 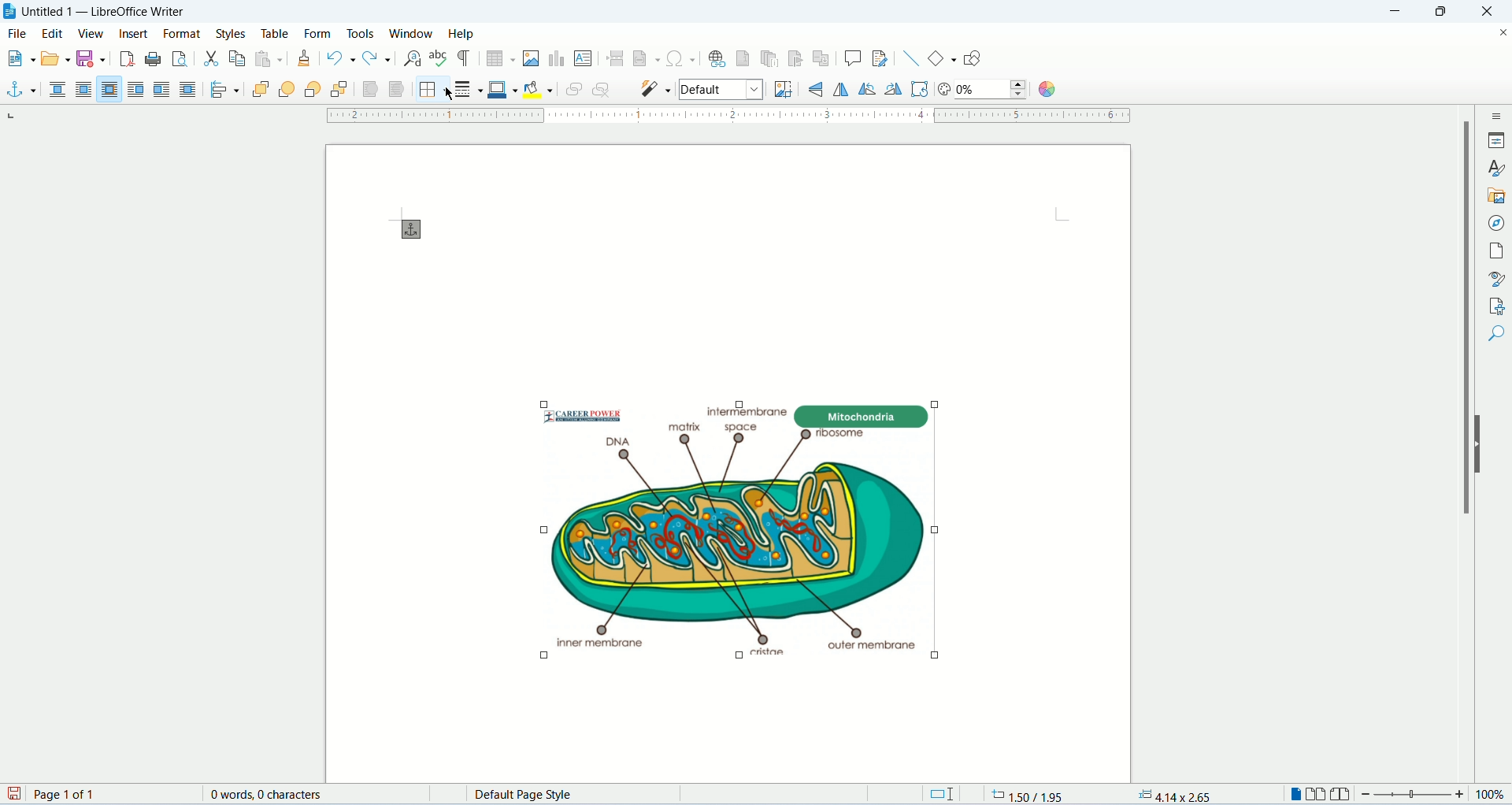 I want to click on view, so click(x=91, y=35).